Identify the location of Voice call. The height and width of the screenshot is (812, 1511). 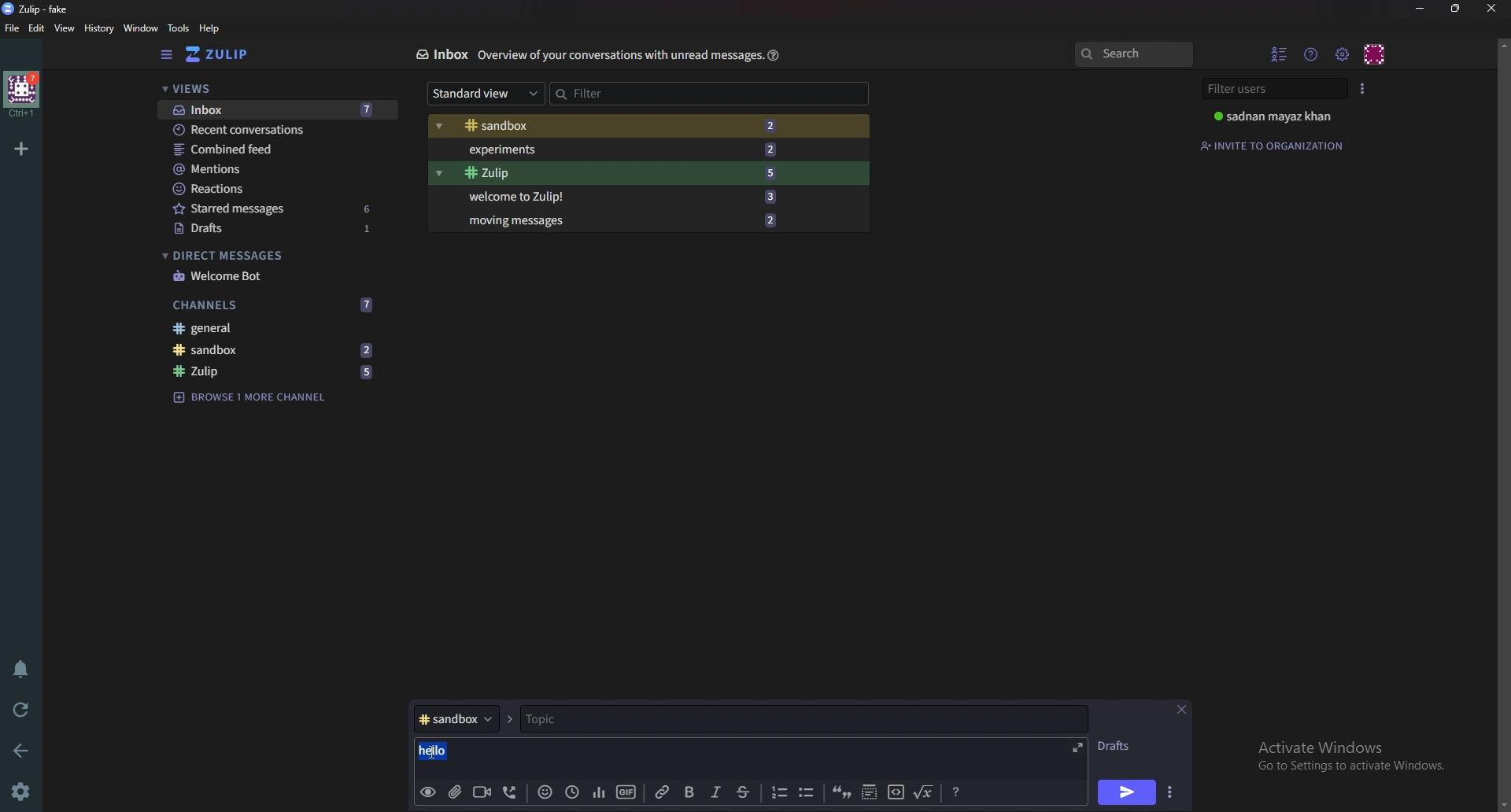
(512, 793).